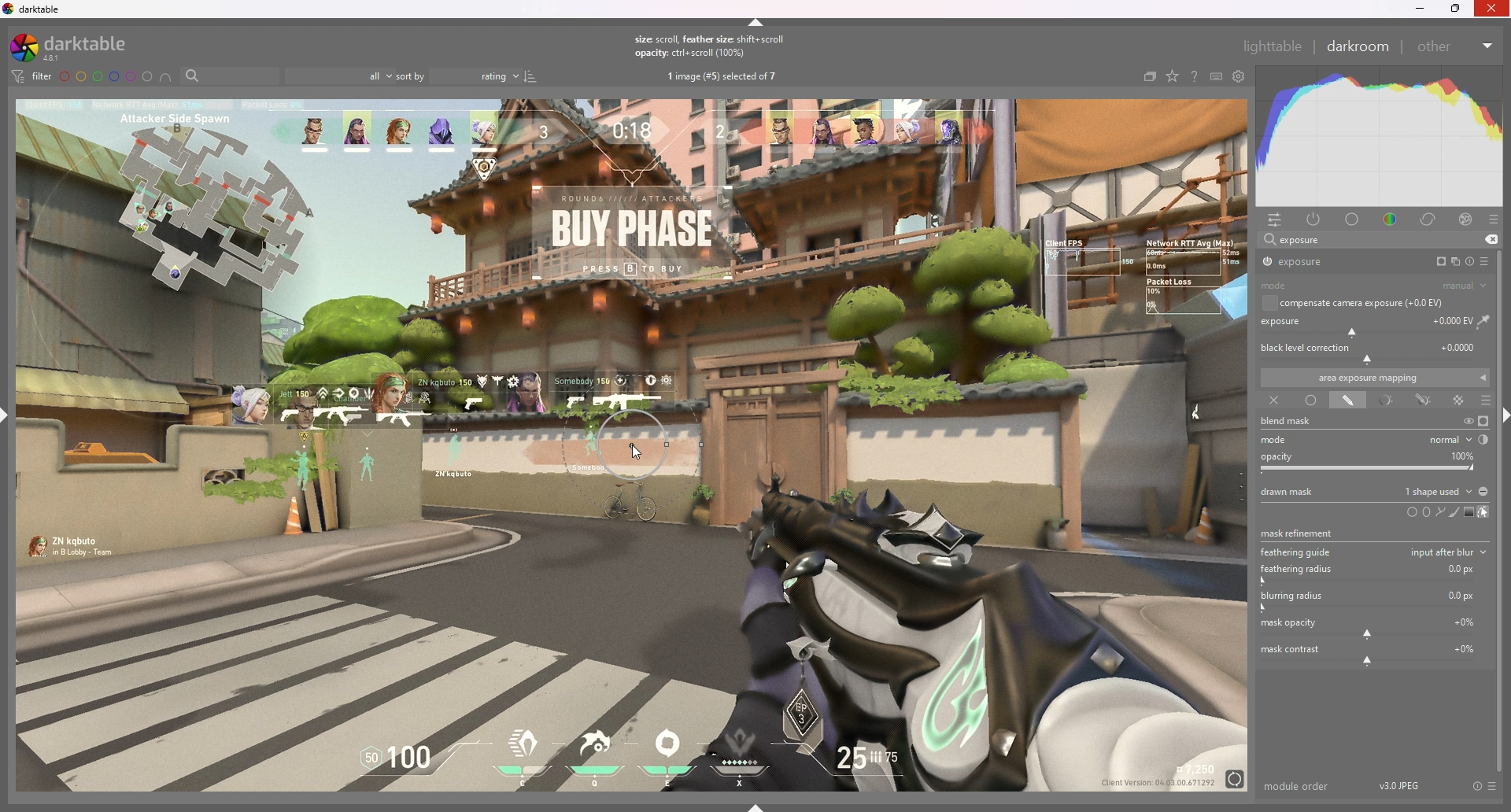  What do you see at coordinates (1375, 378) in the screenshot?
I see `area exposure mapping` at bounding box center [1375, 378].